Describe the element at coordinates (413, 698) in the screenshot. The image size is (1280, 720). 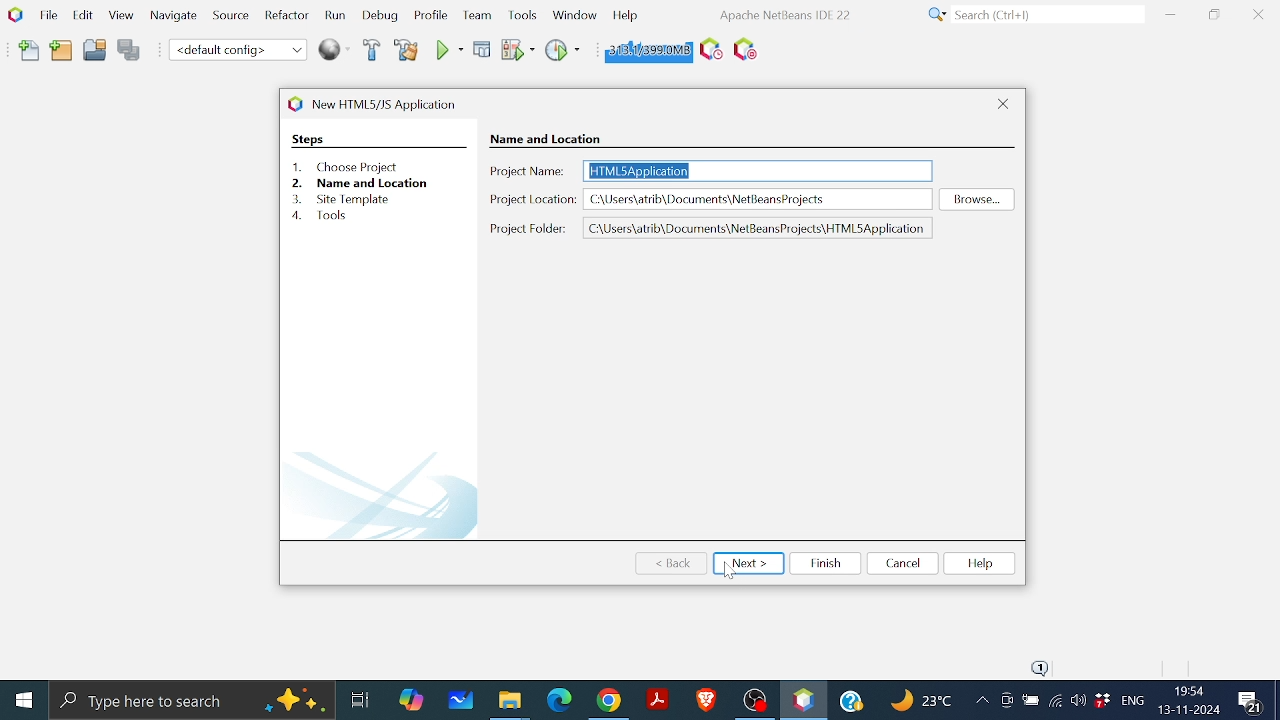
I see `Copilot` at that location.